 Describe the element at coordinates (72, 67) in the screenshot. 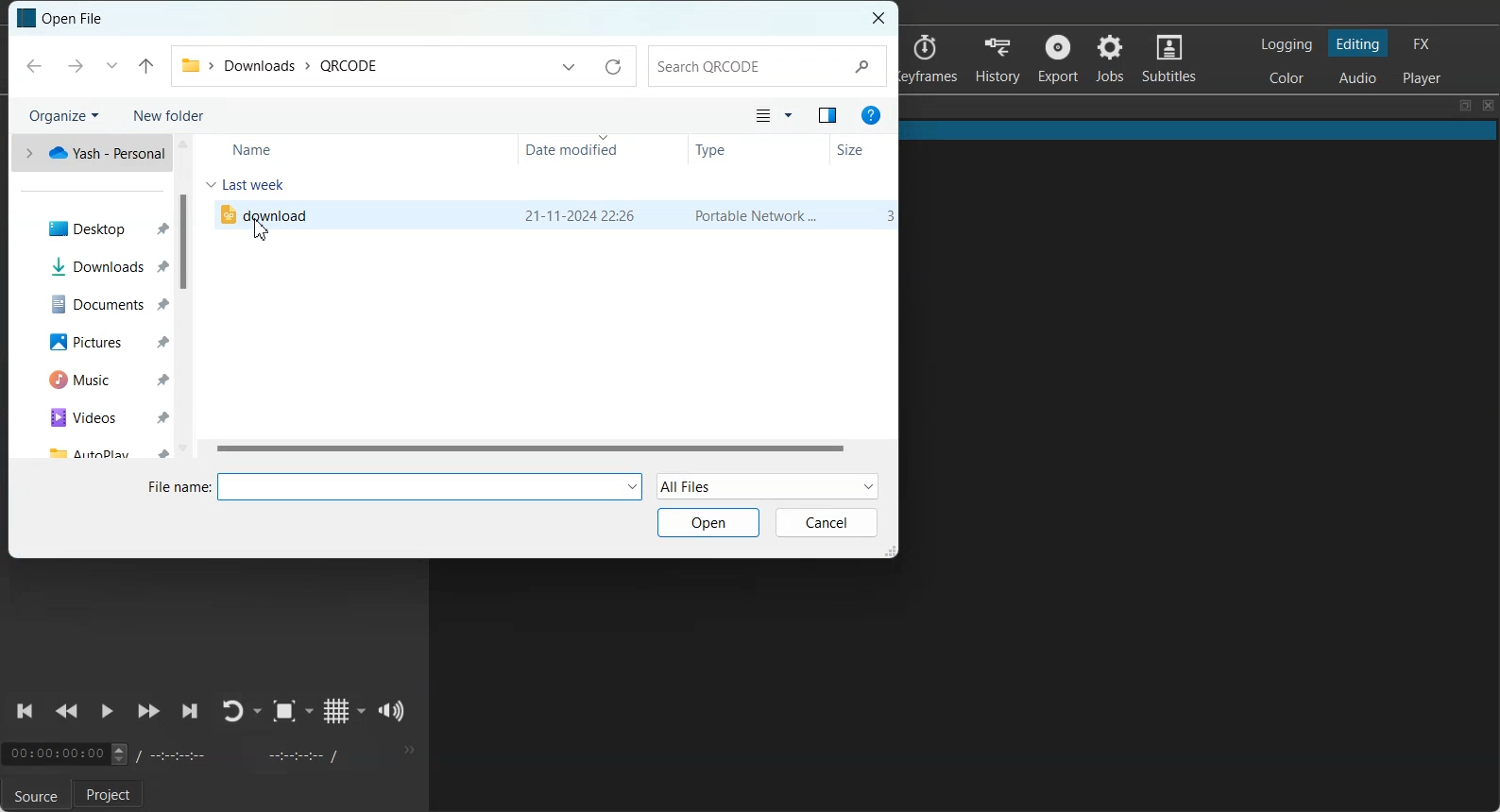

I see `Forward` at that location.